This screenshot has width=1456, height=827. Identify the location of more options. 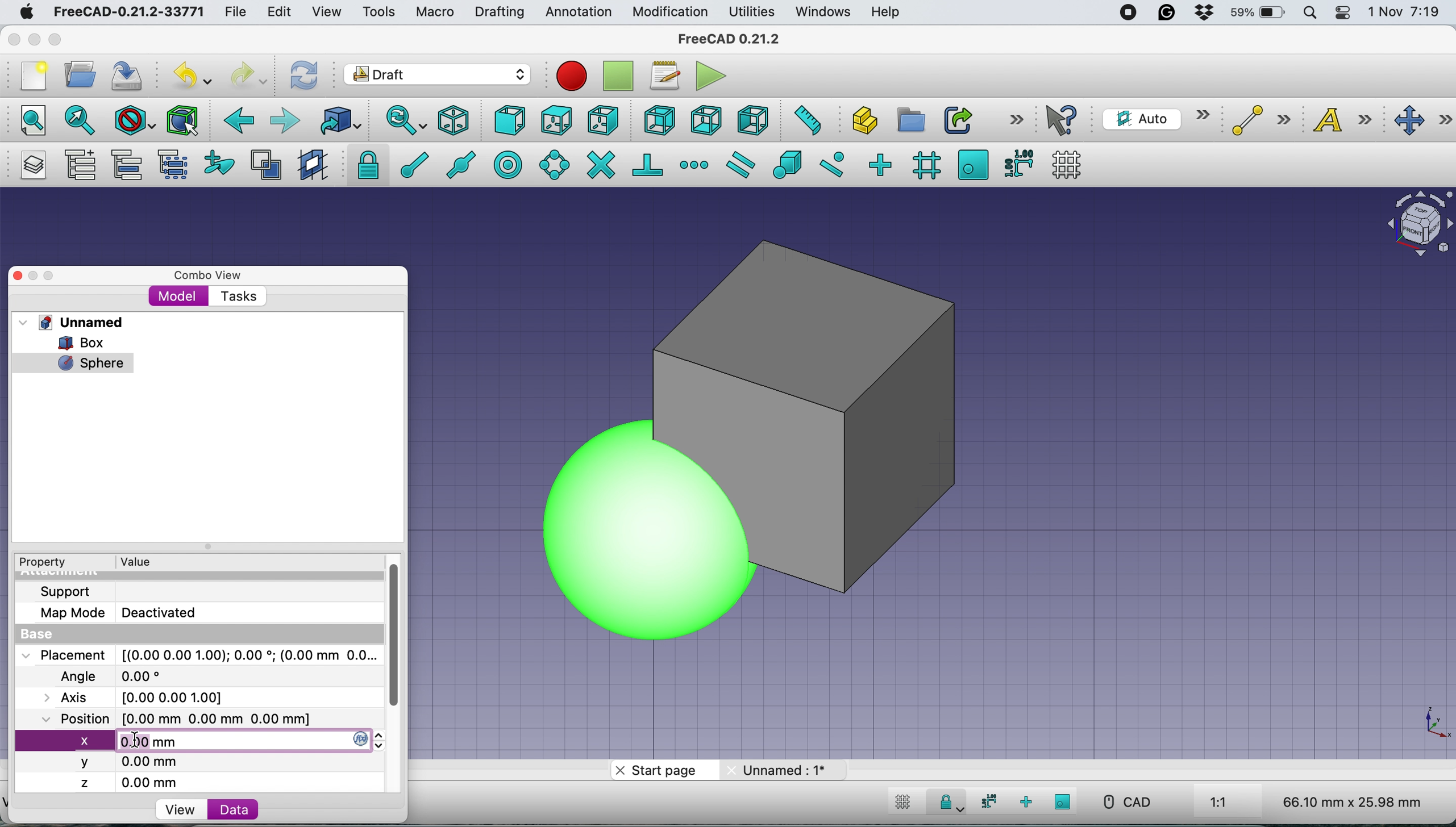
(1016, 119).